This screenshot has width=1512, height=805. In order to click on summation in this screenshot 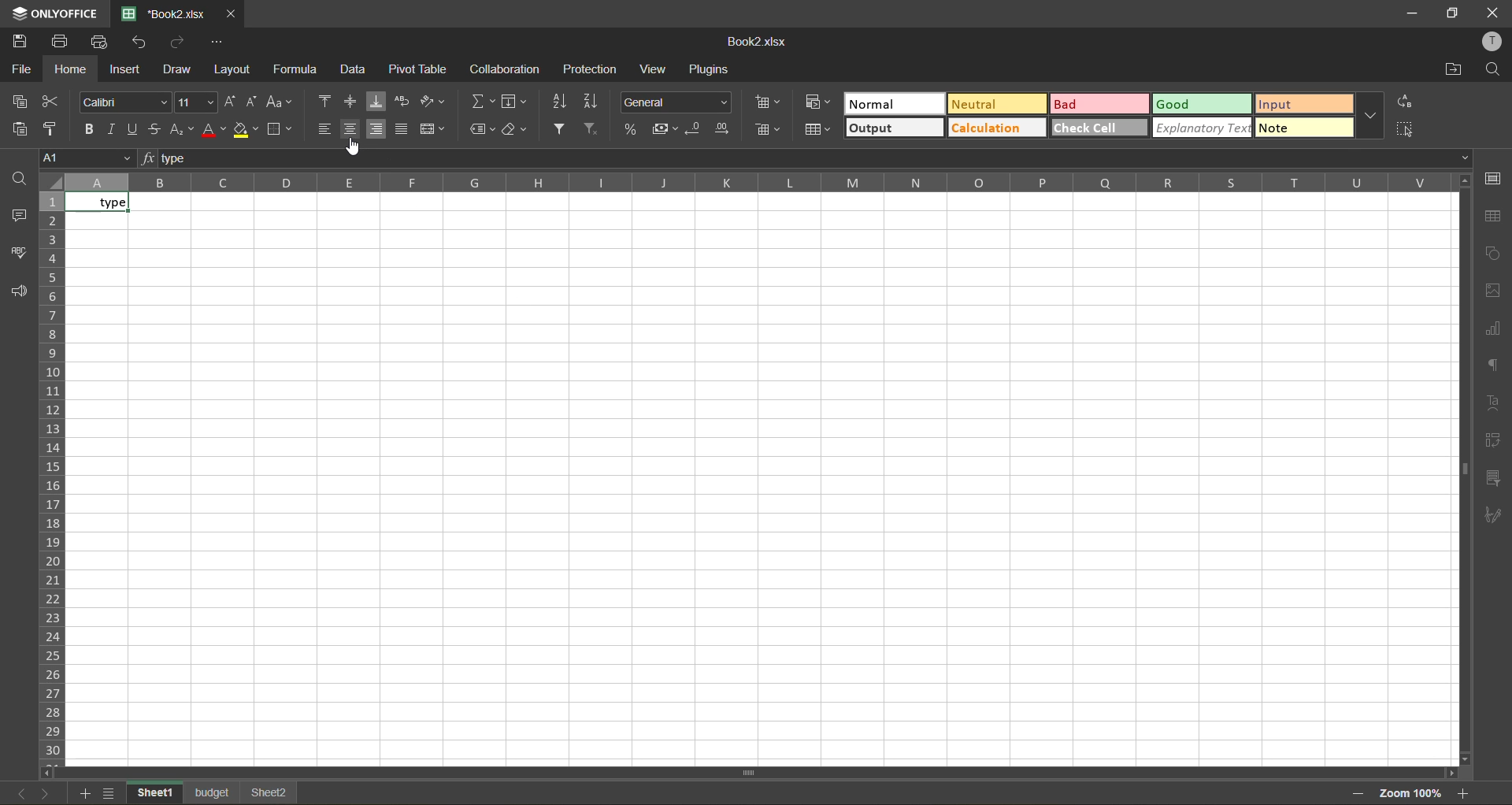, I will do `click(483, 100)`.